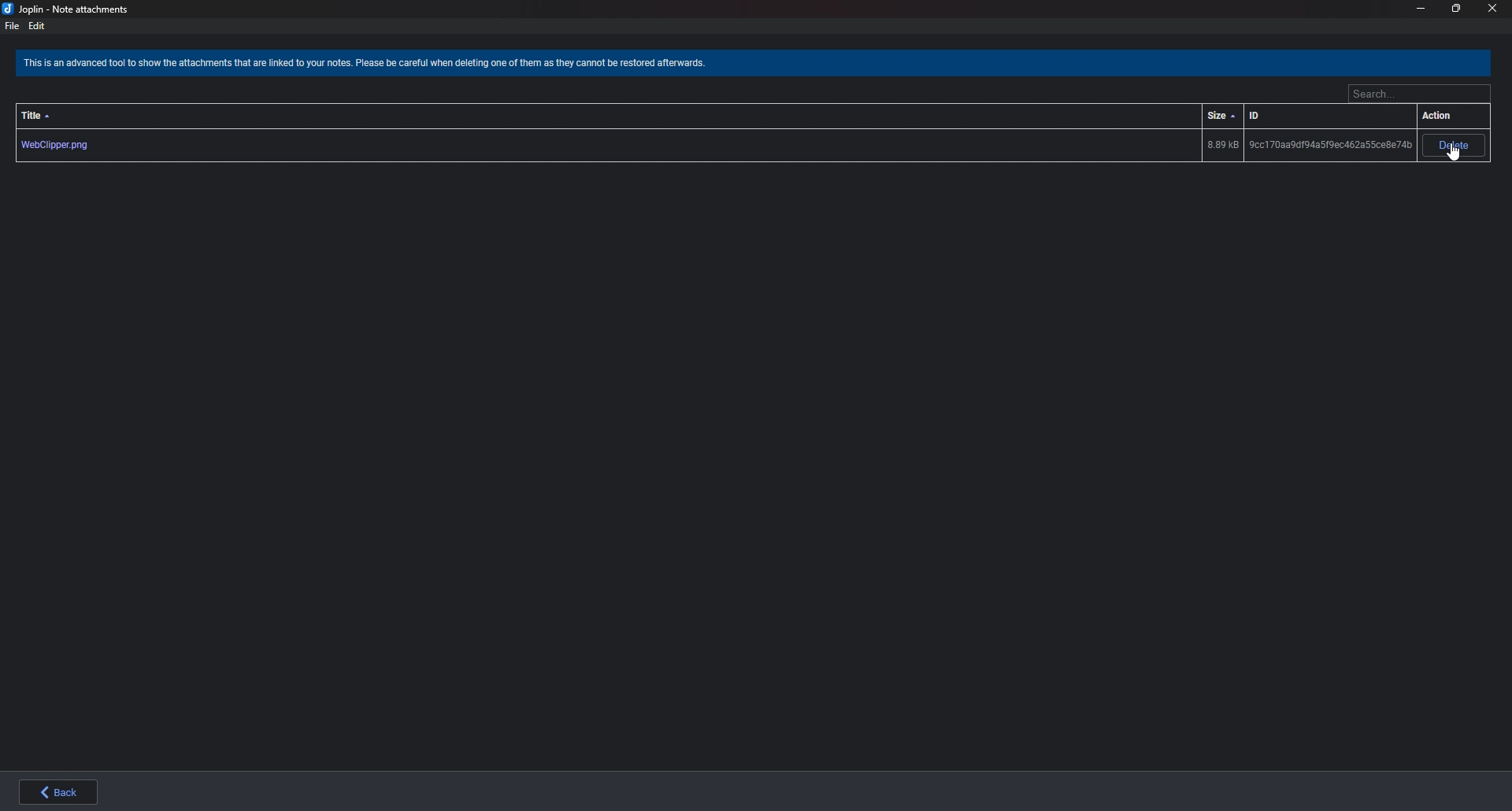  I want to click on joplin, so click(69, 9).